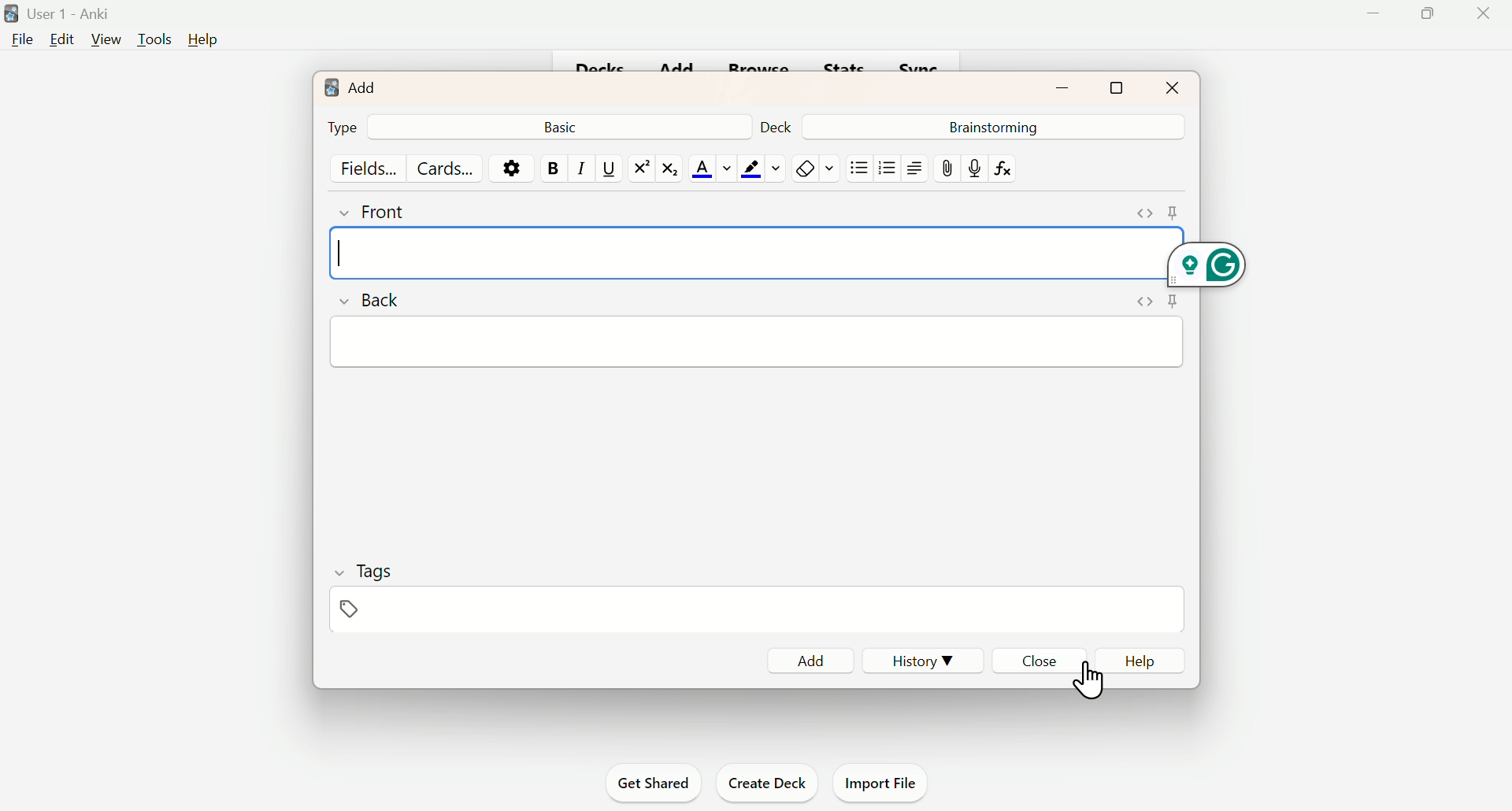  I want to click on Minimise, so click(1371, 19).